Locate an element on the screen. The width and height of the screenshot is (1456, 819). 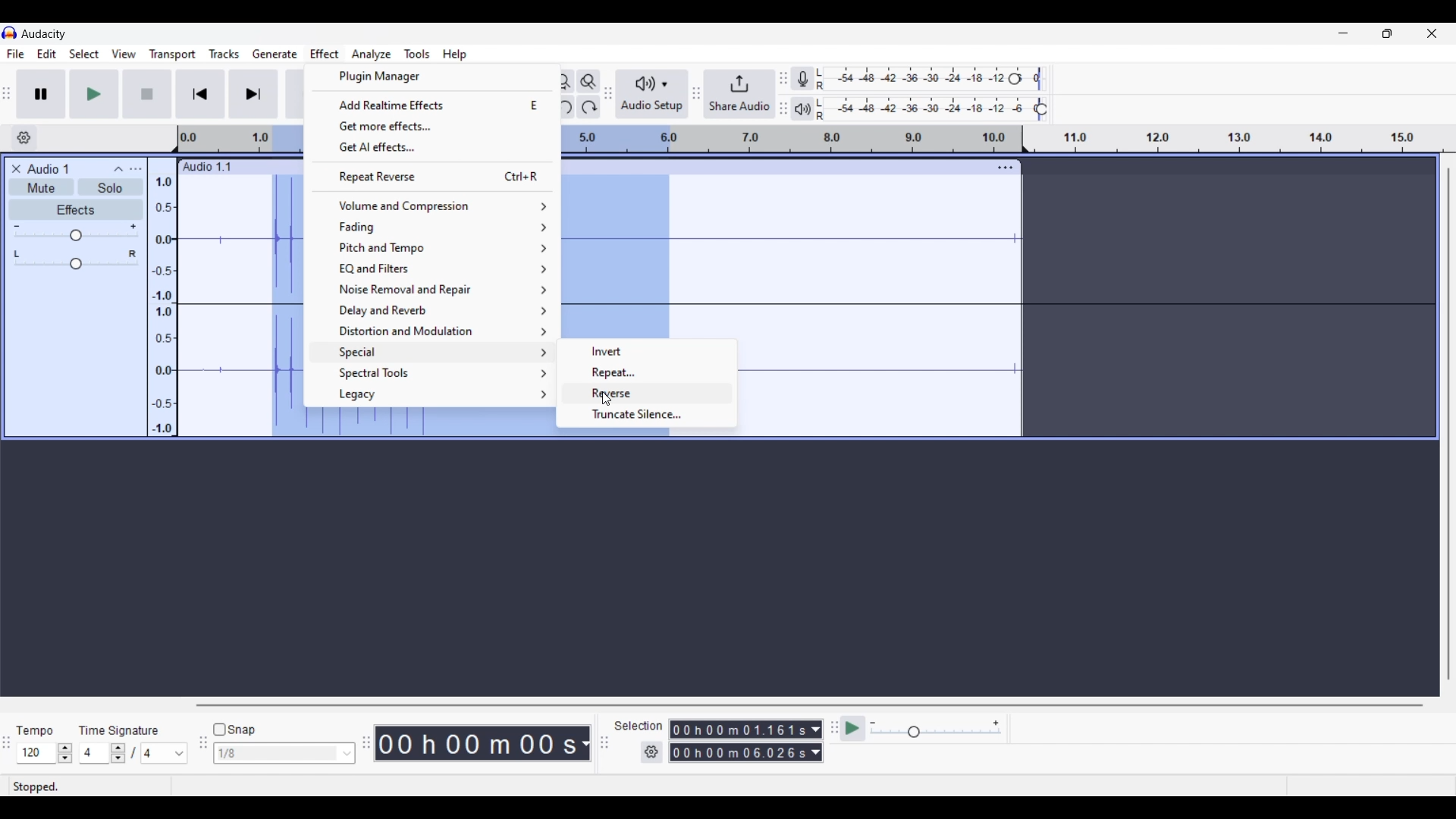
Playback meter is located at coordinates (802, 109).